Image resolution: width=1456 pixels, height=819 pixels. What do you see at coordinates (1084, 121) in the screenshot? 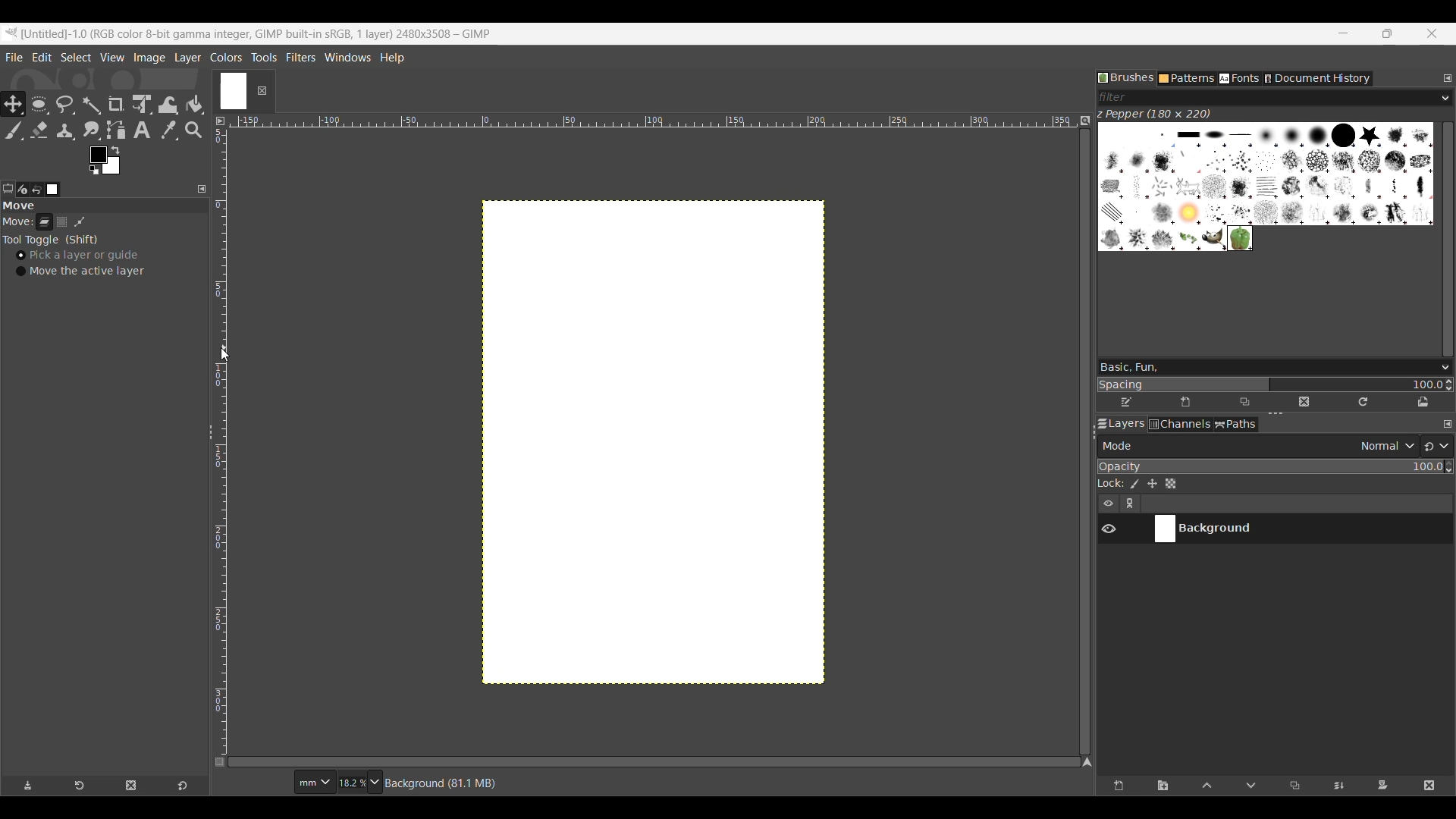
I see `Zoom image when video size changes` at bounding box center [1084, 121].